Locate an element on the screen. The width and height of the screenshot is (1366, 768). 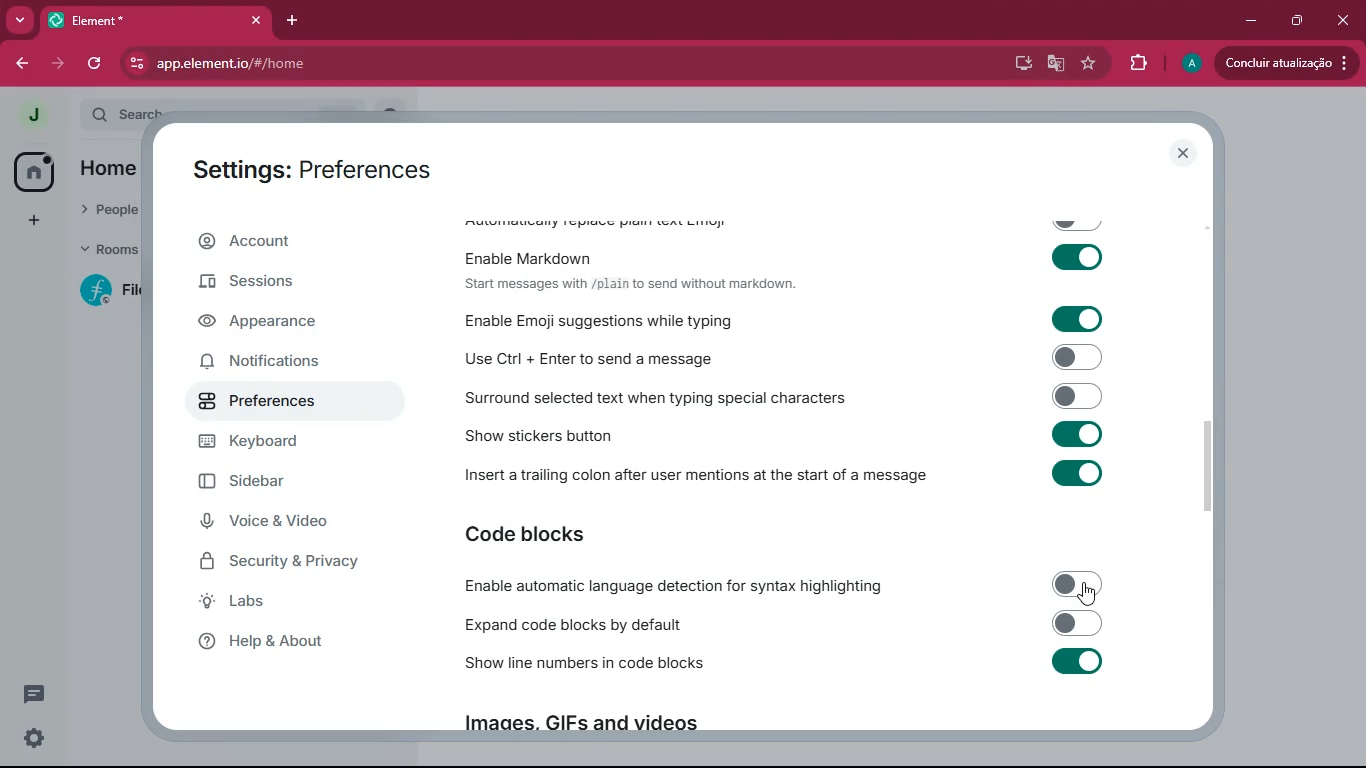
add is located at coordinates (34, 221).